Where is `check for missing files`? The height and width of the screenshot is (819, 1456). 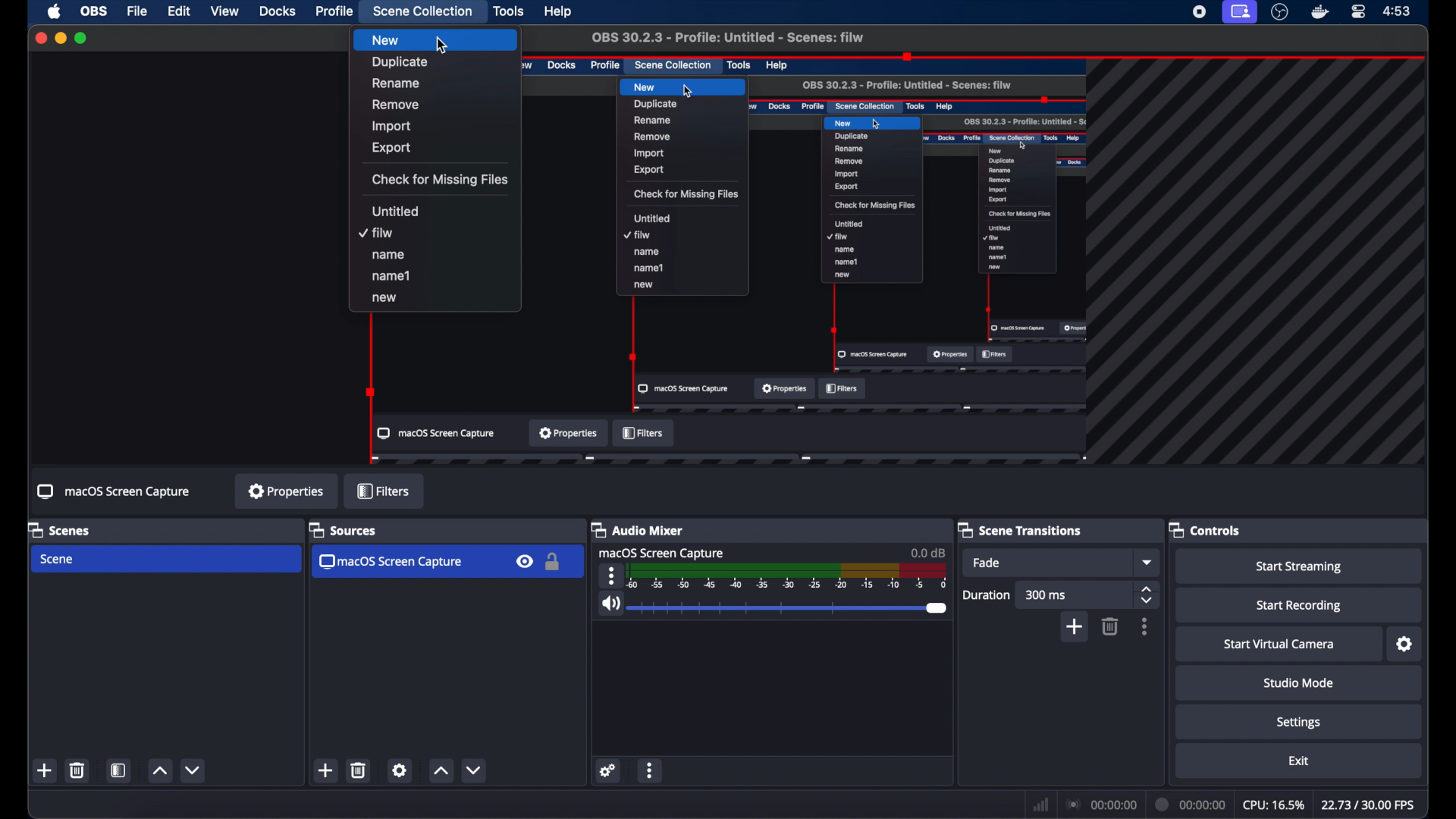
check for missing files is located at coordinates (439, 179).